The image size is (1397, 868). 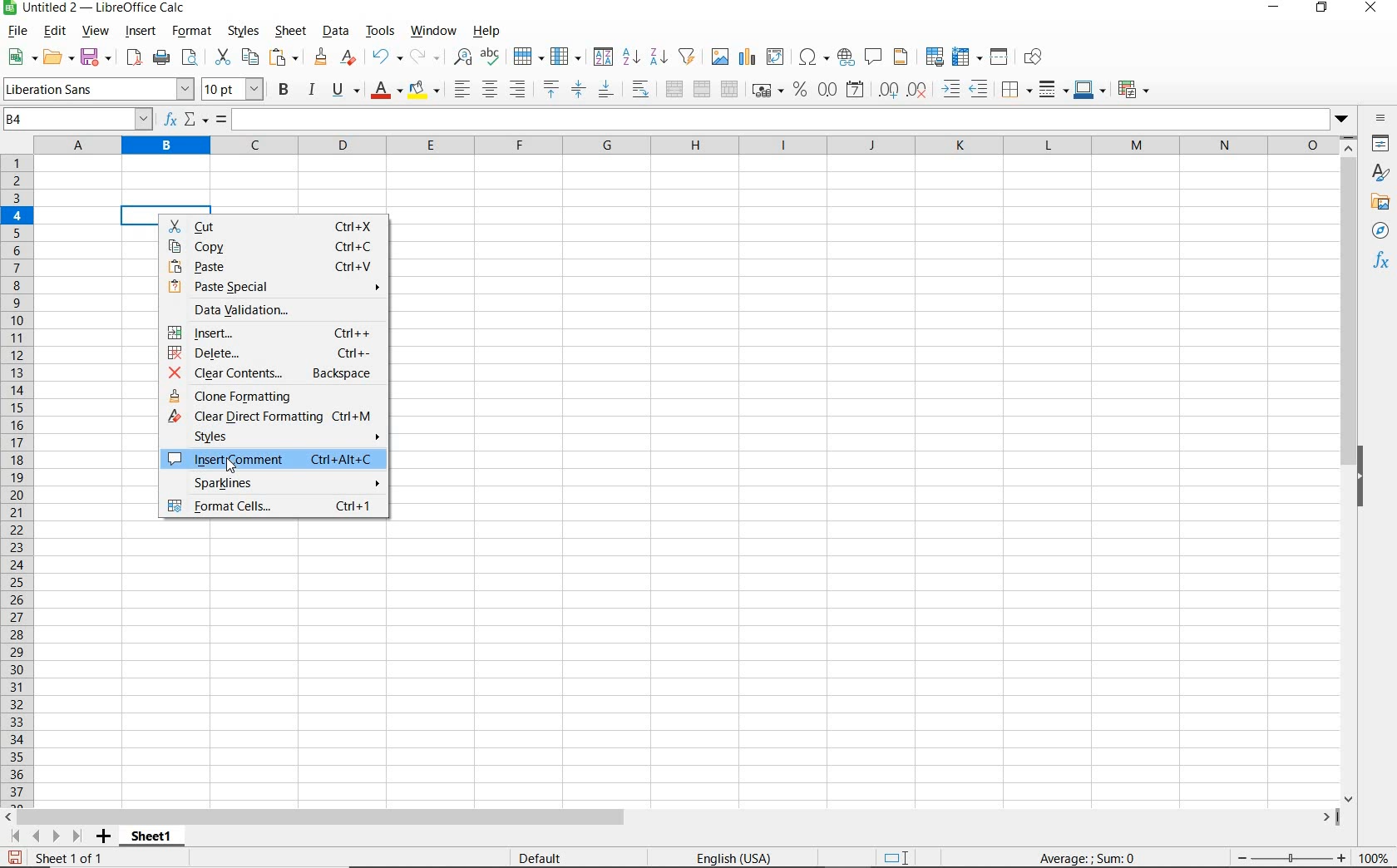 What do you see at coordinates (902, 57) in the screenshot?
I see `headers and footers` at bounding box center [902, 57].